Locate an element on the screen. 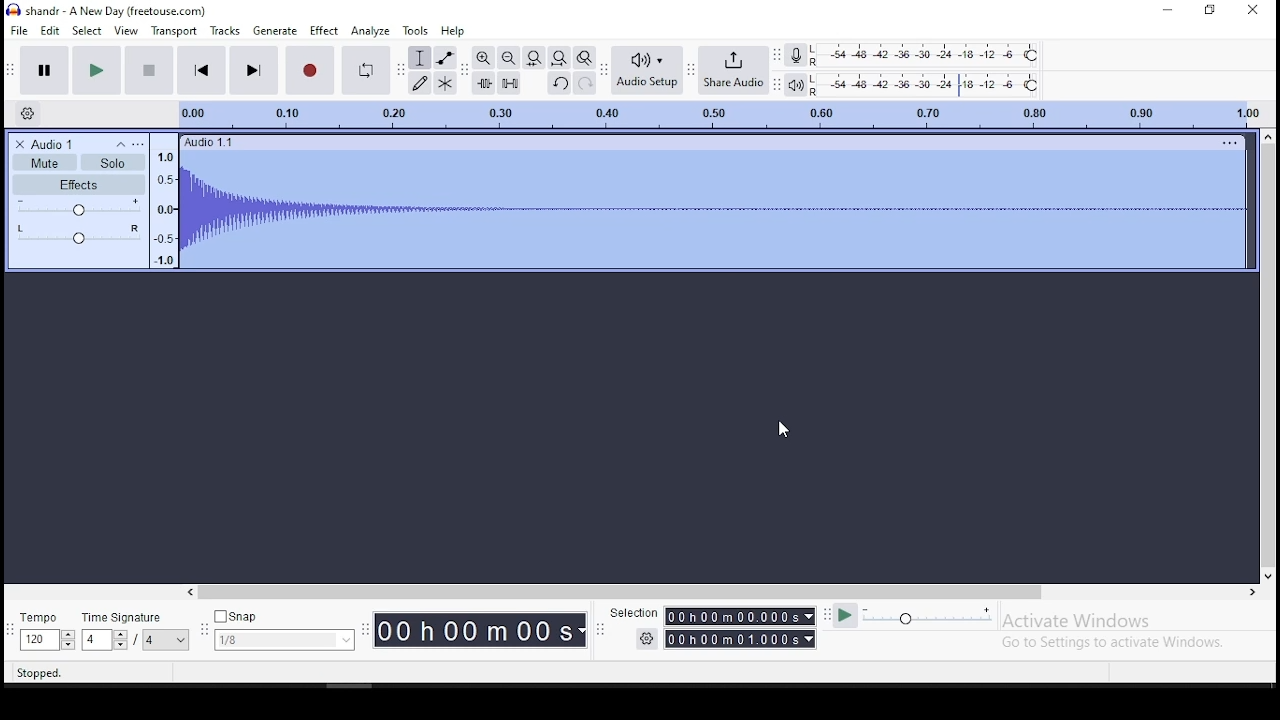 The width and height of the screenshot is (1280, 720). file is located at coordinates (19, 31).